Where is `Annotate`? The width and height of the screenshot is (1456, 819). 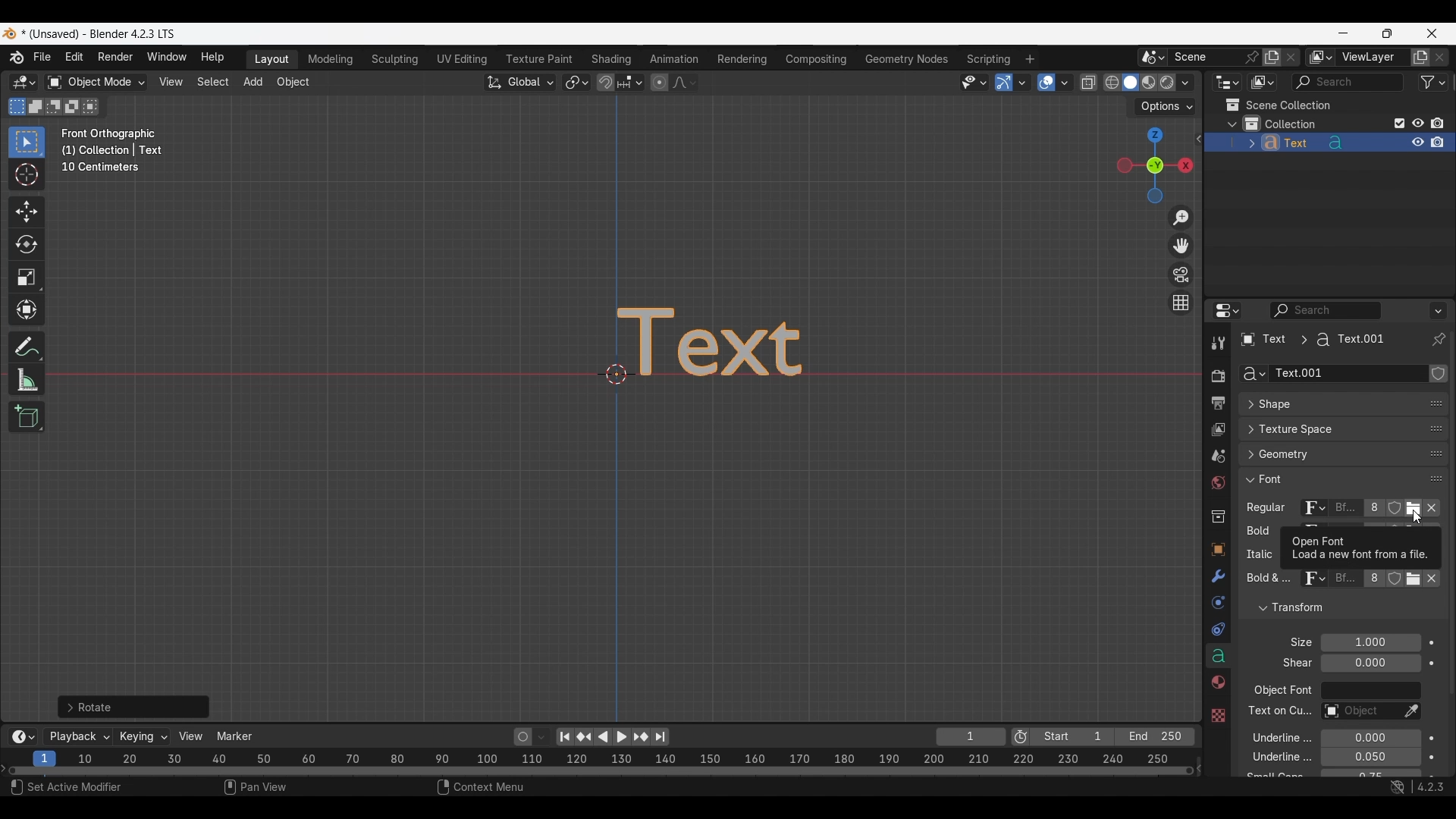
Annotate is located at coordinates (27, 347).